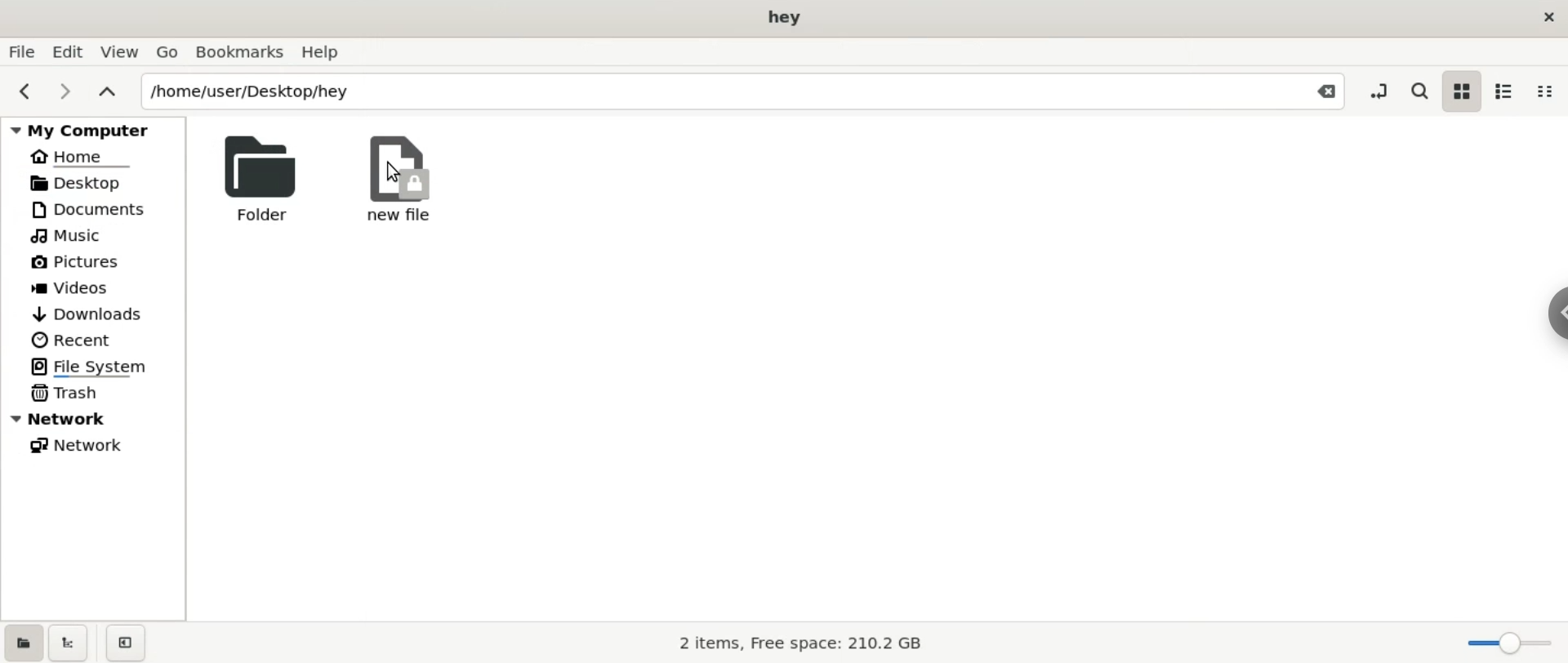  I want to click on next, so click(65, 90).